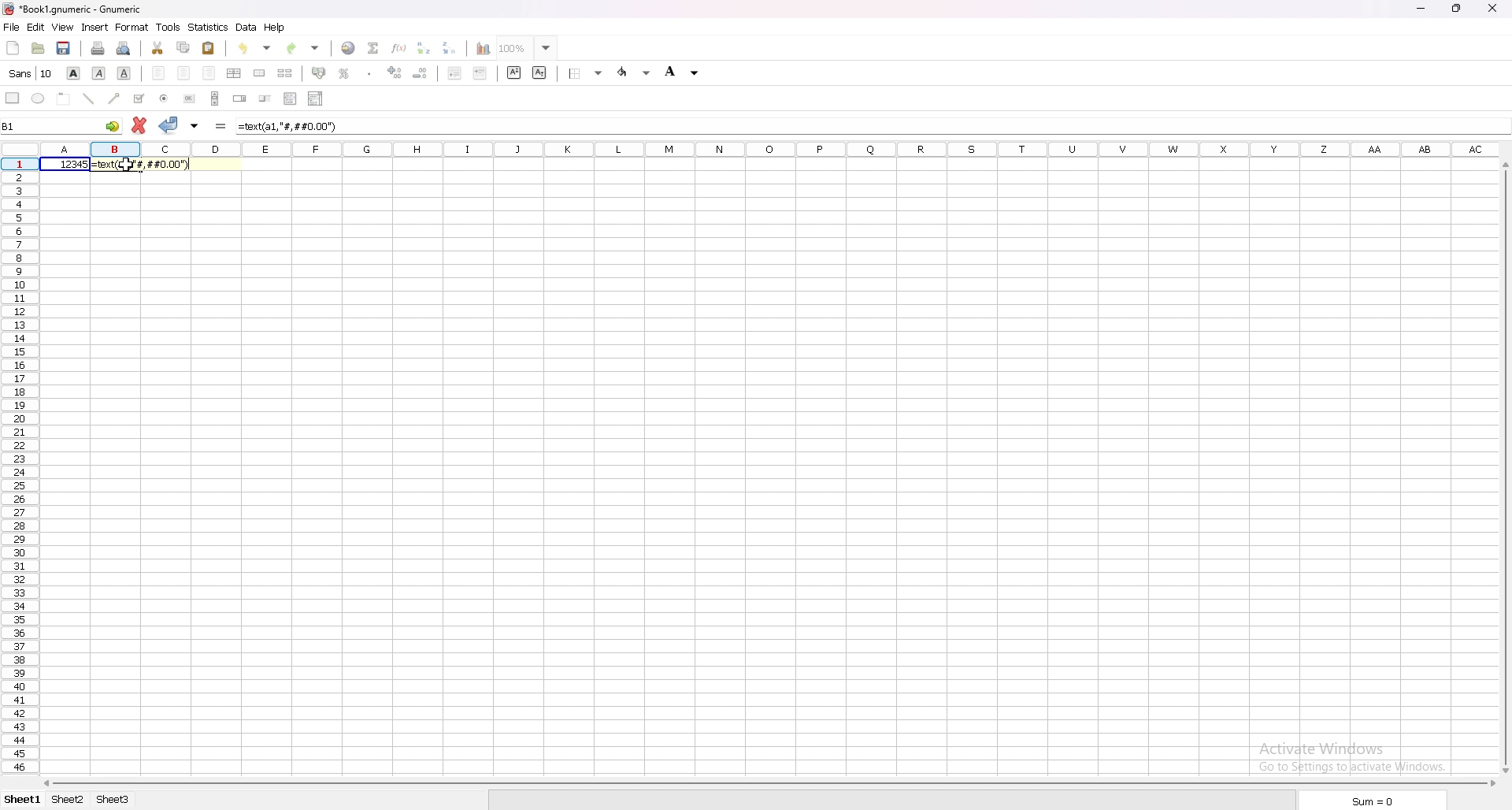 This screenshot has height=810, width=1512. Describe the element at coordinates (88, 98) in the screenshot. I see `line` at that location.